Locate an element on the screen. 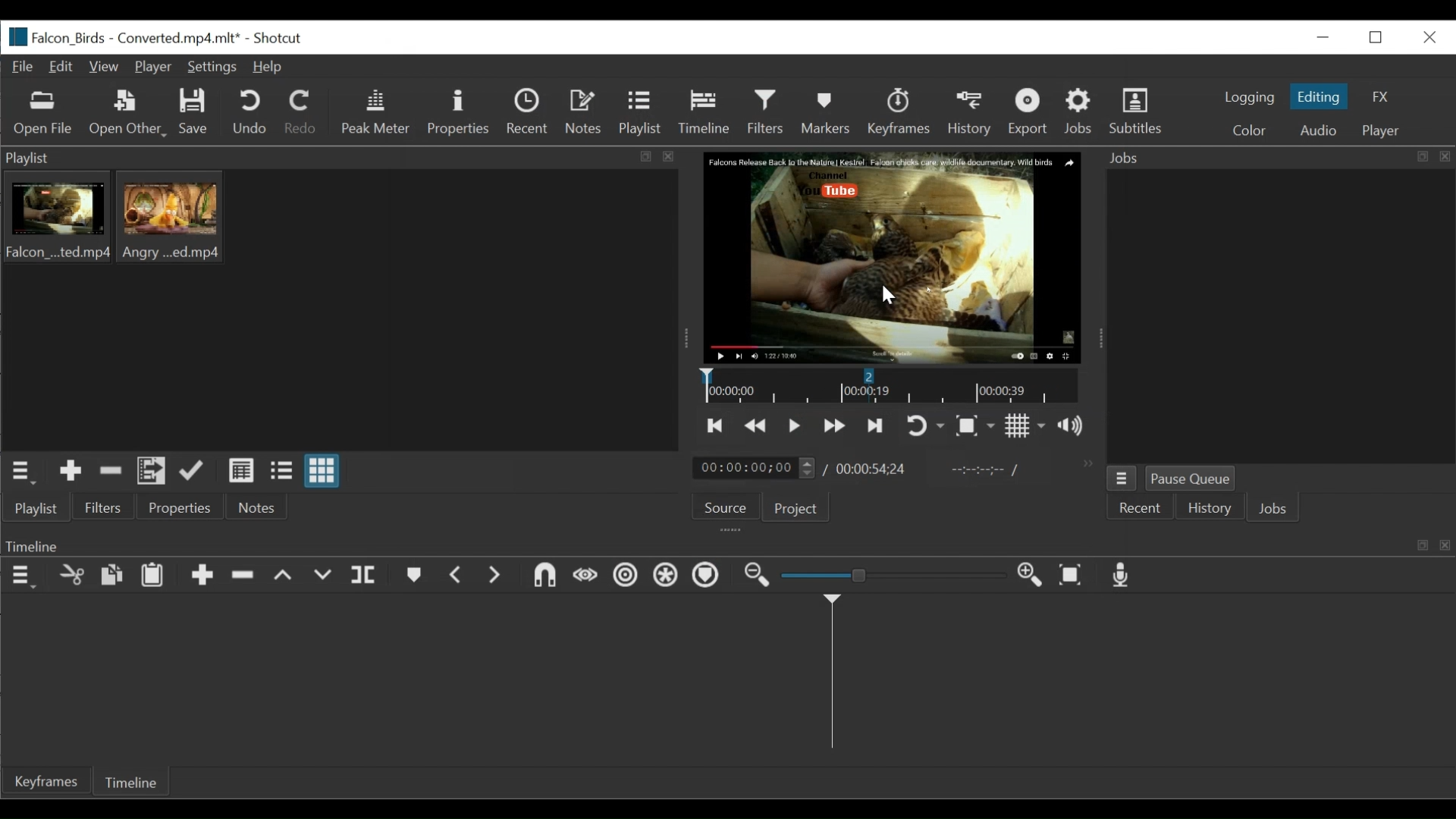  Append is located at coordinates (202, 577).